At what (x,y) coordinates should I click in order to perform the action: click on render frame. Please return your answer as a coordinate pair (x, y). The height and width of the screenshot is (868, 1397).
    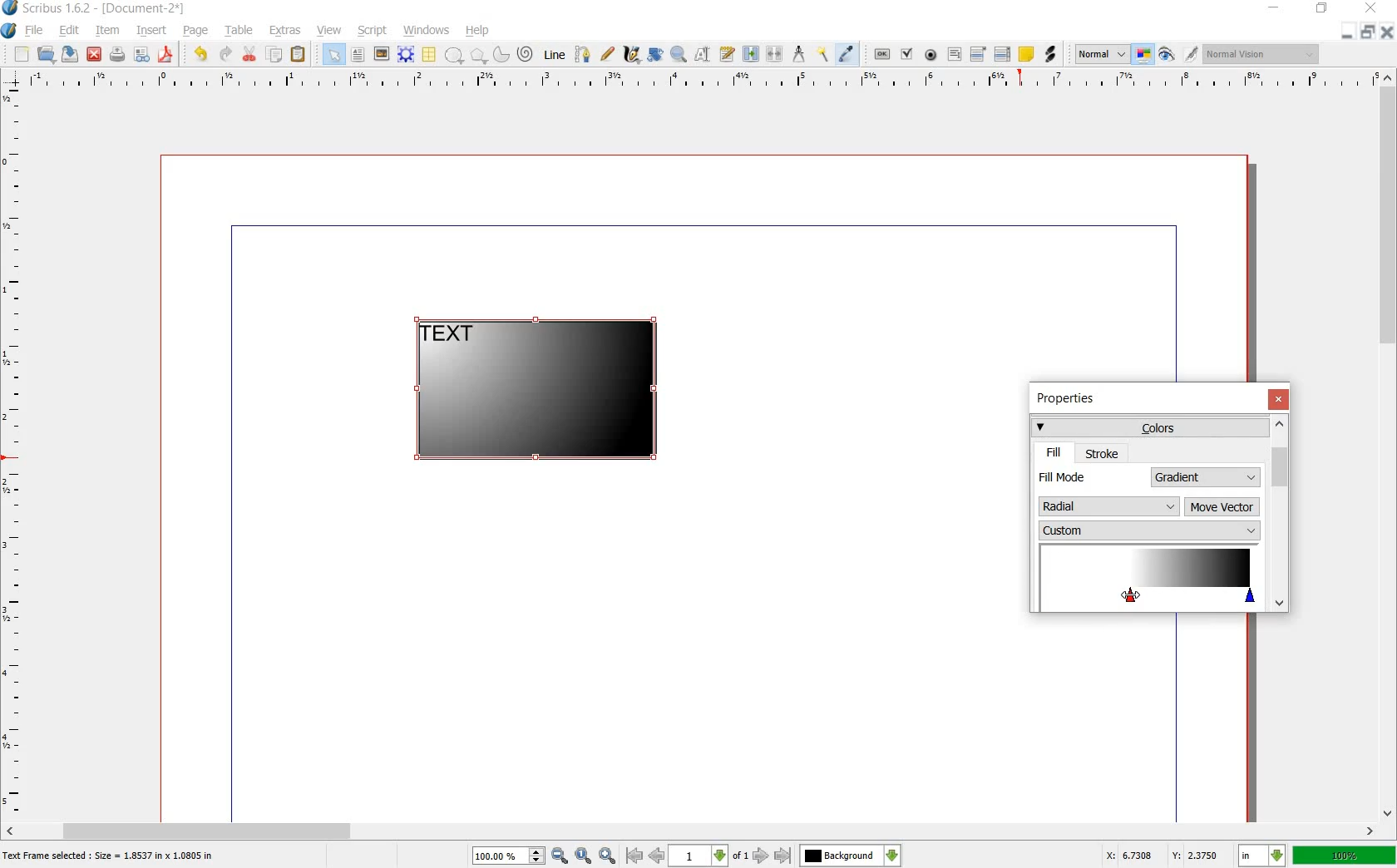
    Looking at the image, I should click on (406, 55).